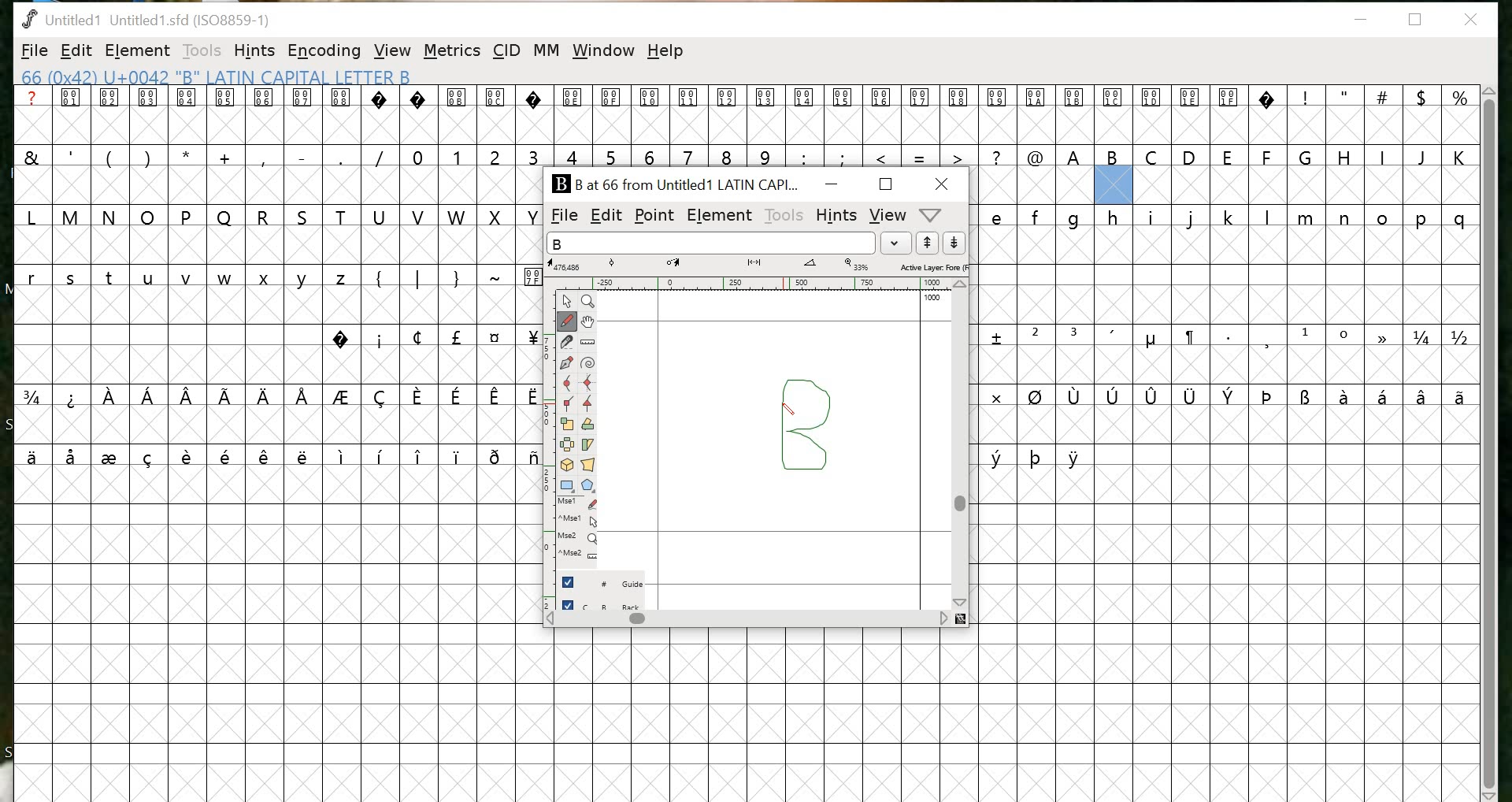 This screenshot has height=802, width=1512. Describe the element at coordinates (748, 284) in the screenshot. I see `ruler` at that location.